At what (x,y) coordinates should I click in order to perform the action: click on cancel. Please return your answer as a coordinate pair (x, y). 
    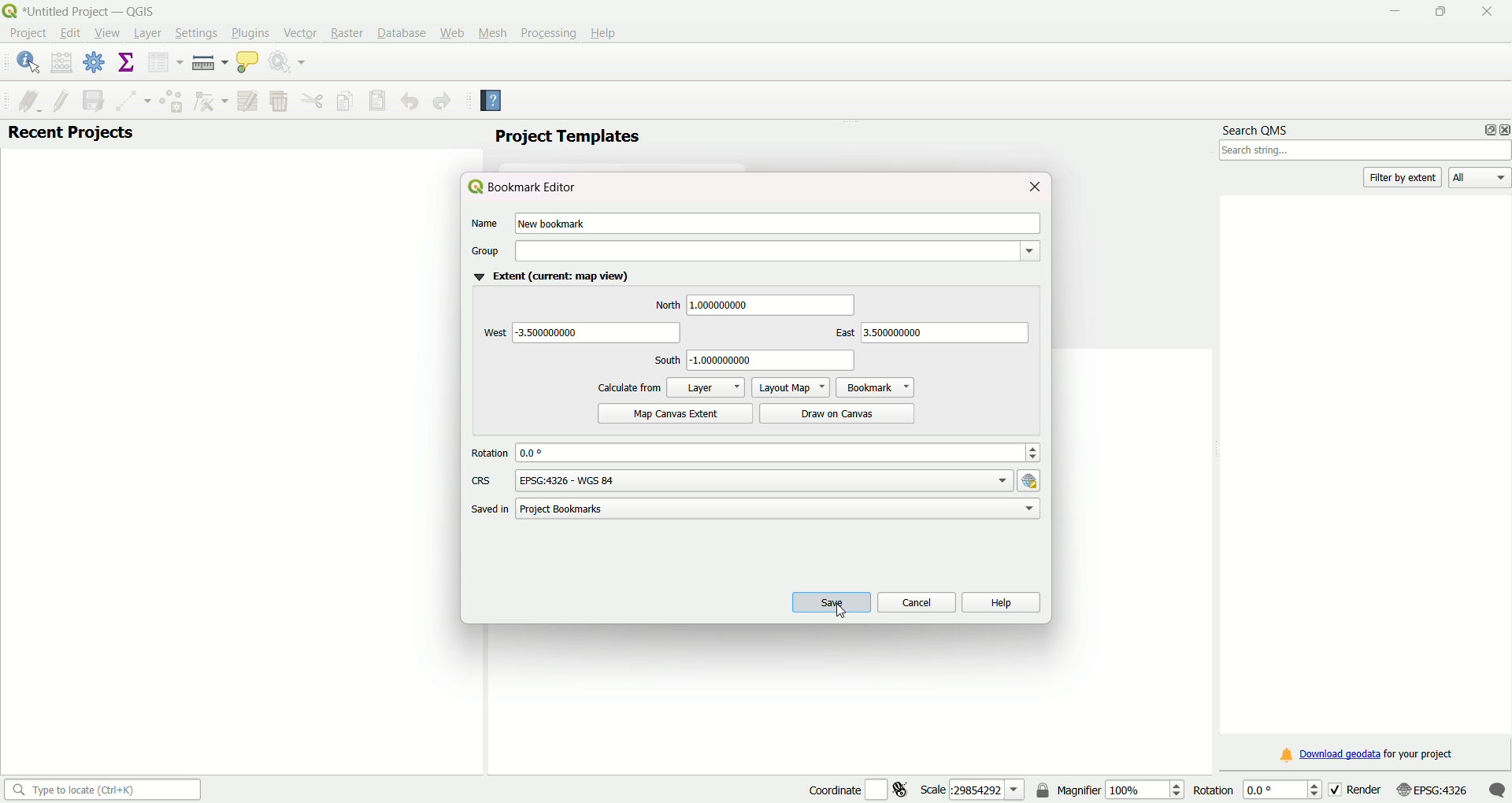
    Looking at the image, I should click on (915, 601).